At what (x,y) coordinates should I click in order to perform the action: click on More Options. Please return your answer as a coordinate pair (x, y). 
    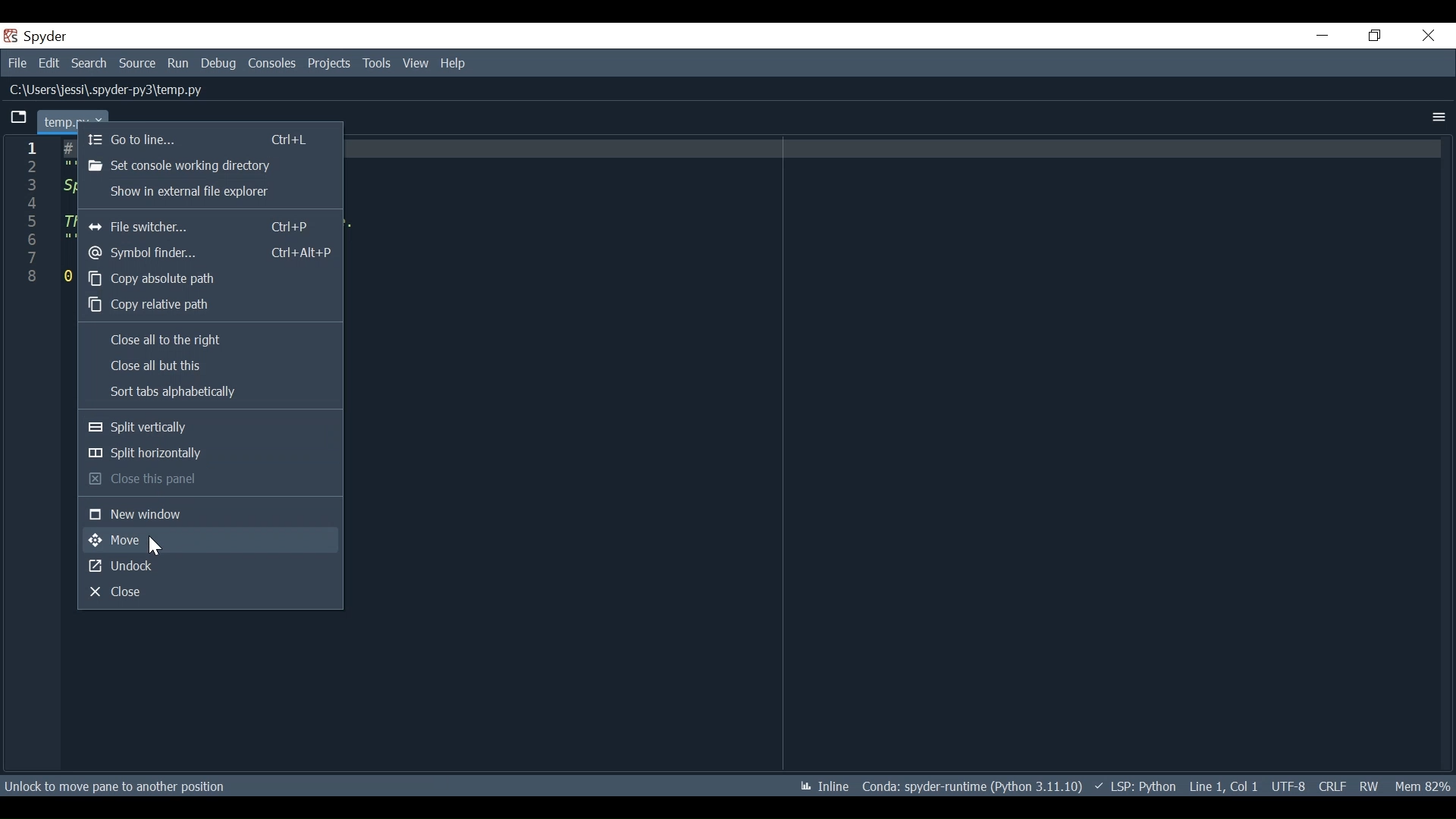
    Looking at the image, I should click on (1436, 115).